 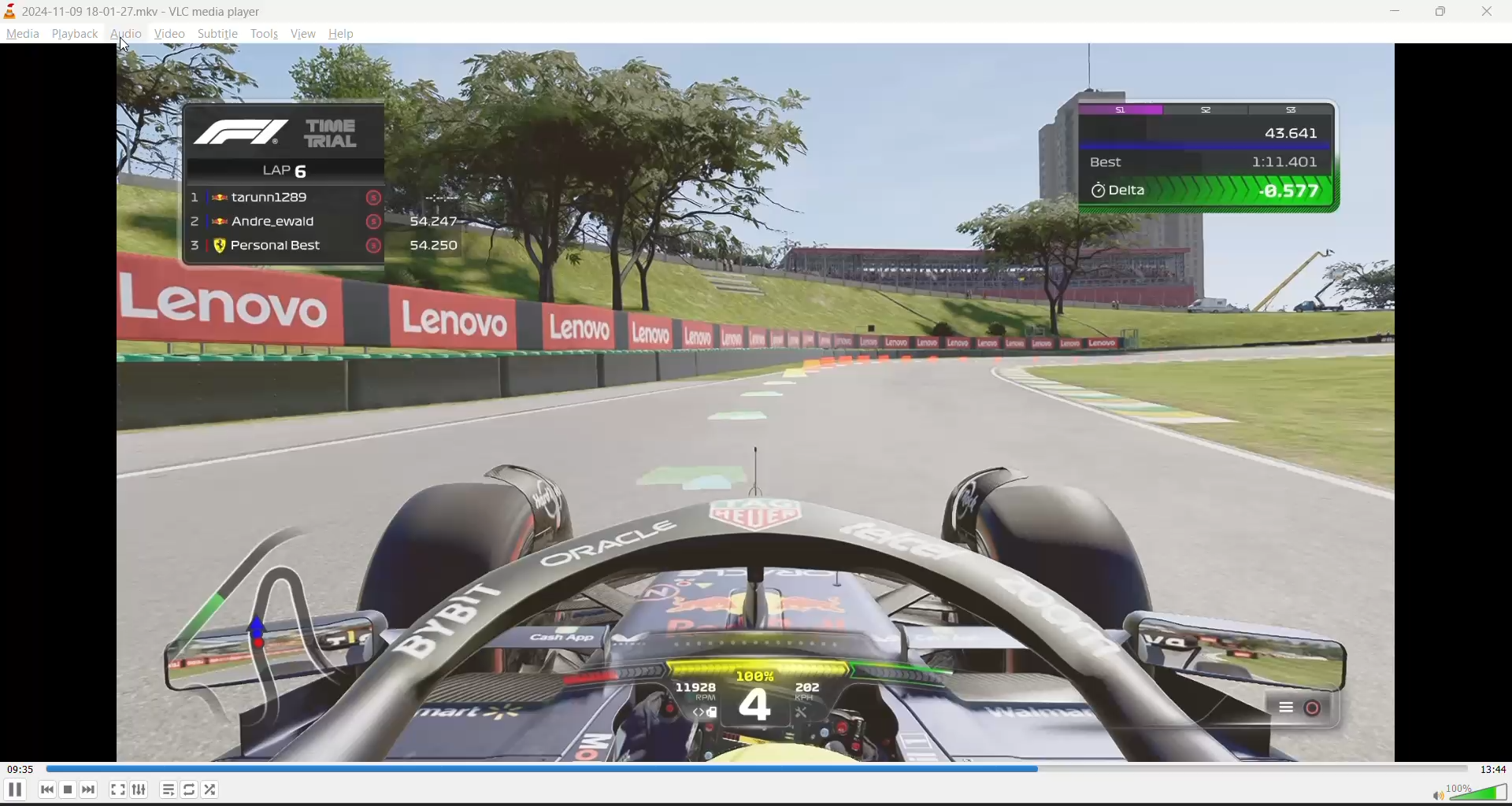 What do you see at coordinates (73, 35) in the screenshot?
I see `playback` at bounding box center [73, 35].